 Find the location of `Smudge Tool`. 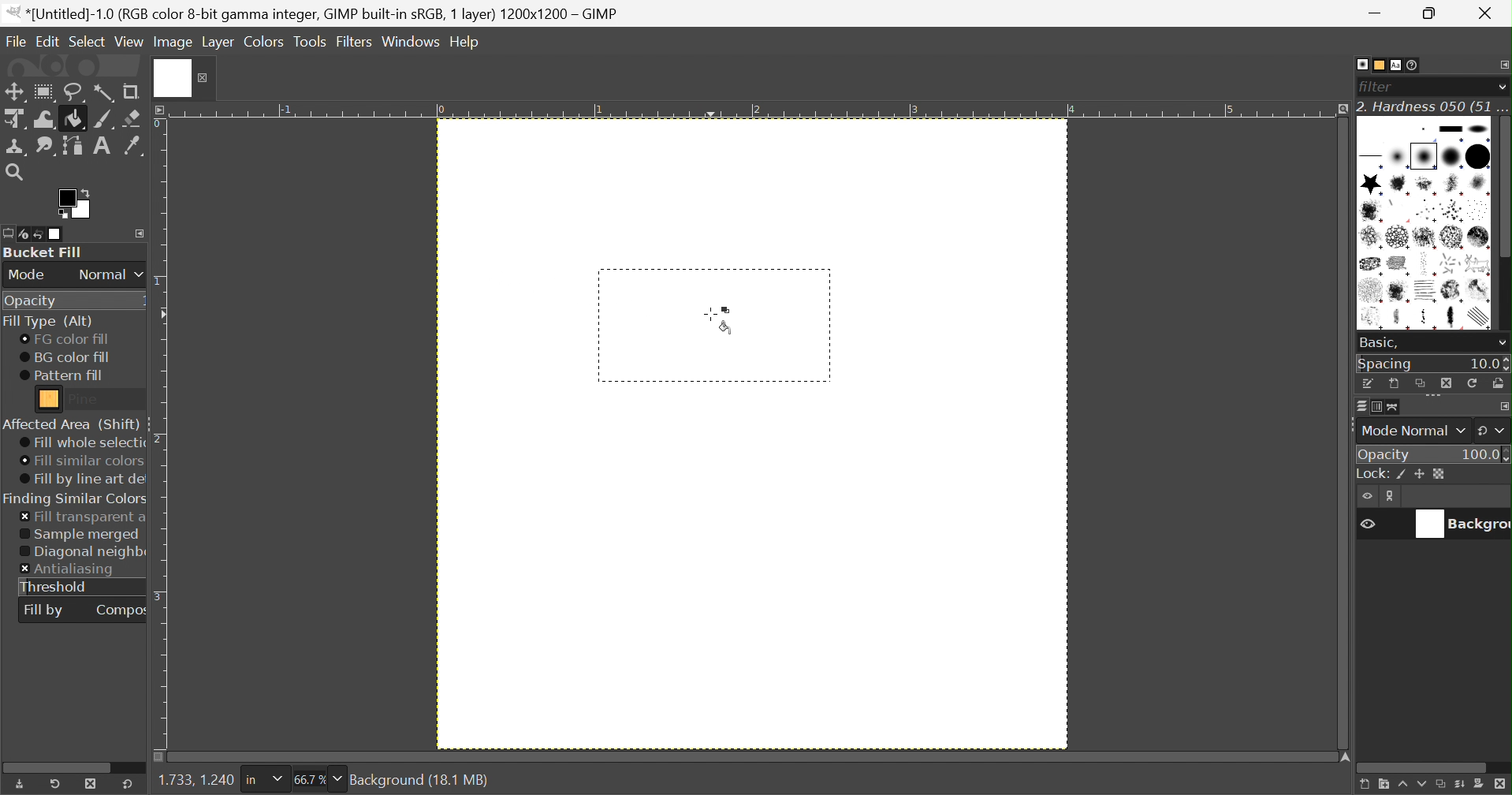

Smudge Tool is located at coordinates (44, 147).